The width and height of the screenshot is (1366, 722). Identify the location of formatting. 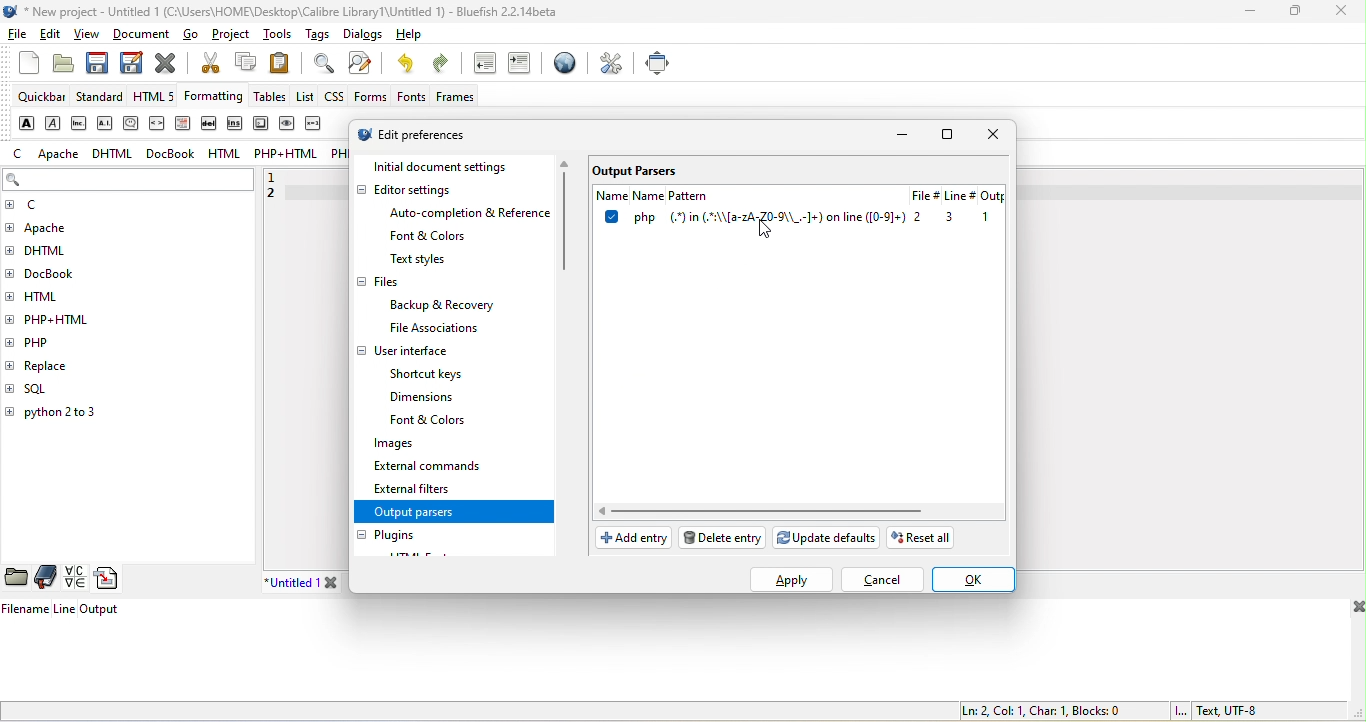
(217, 97).